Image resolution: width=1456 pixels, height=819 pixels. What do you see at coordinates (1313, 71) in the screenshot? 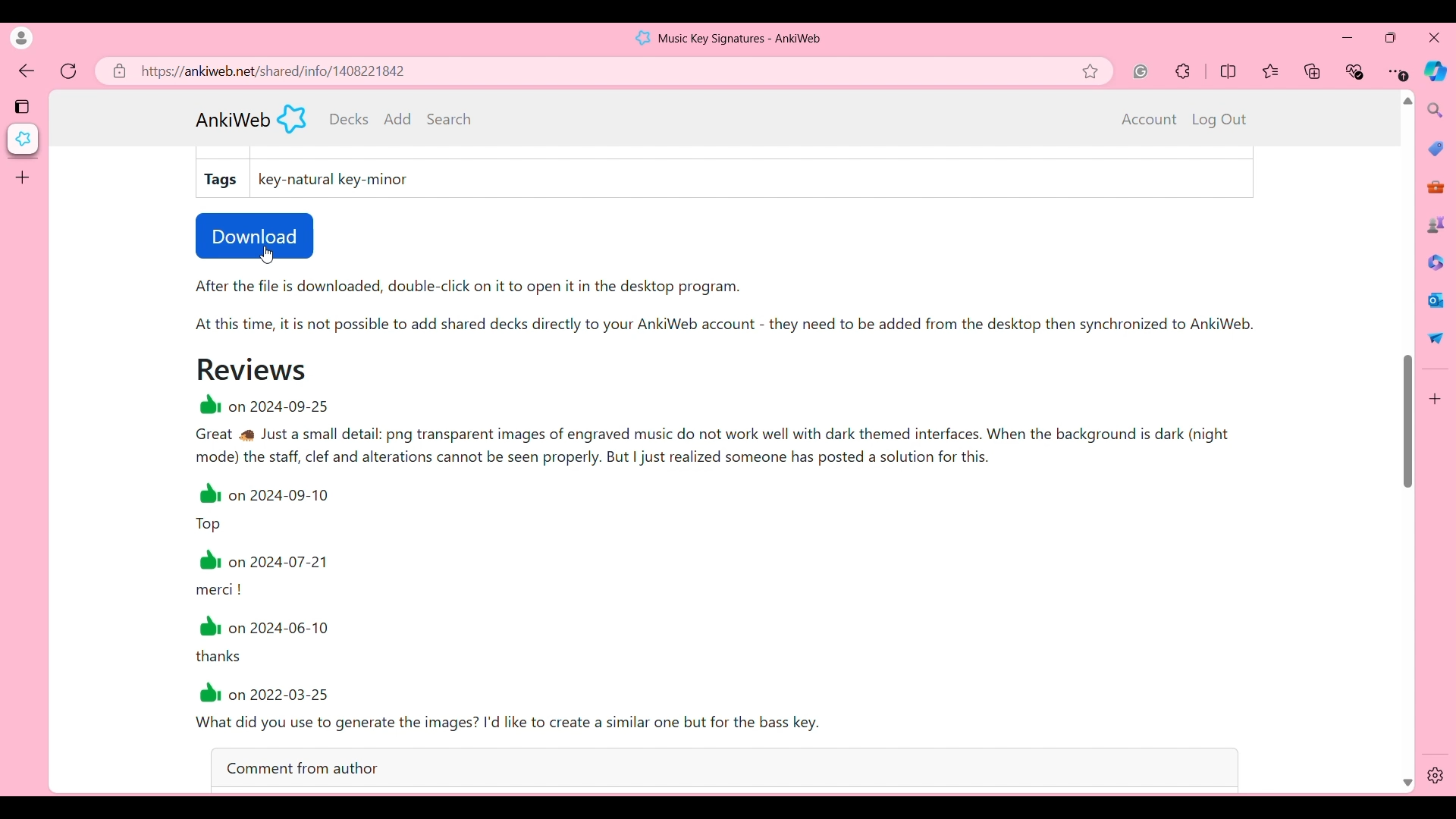
I see `Collections` at bounding box center [1313, 71].